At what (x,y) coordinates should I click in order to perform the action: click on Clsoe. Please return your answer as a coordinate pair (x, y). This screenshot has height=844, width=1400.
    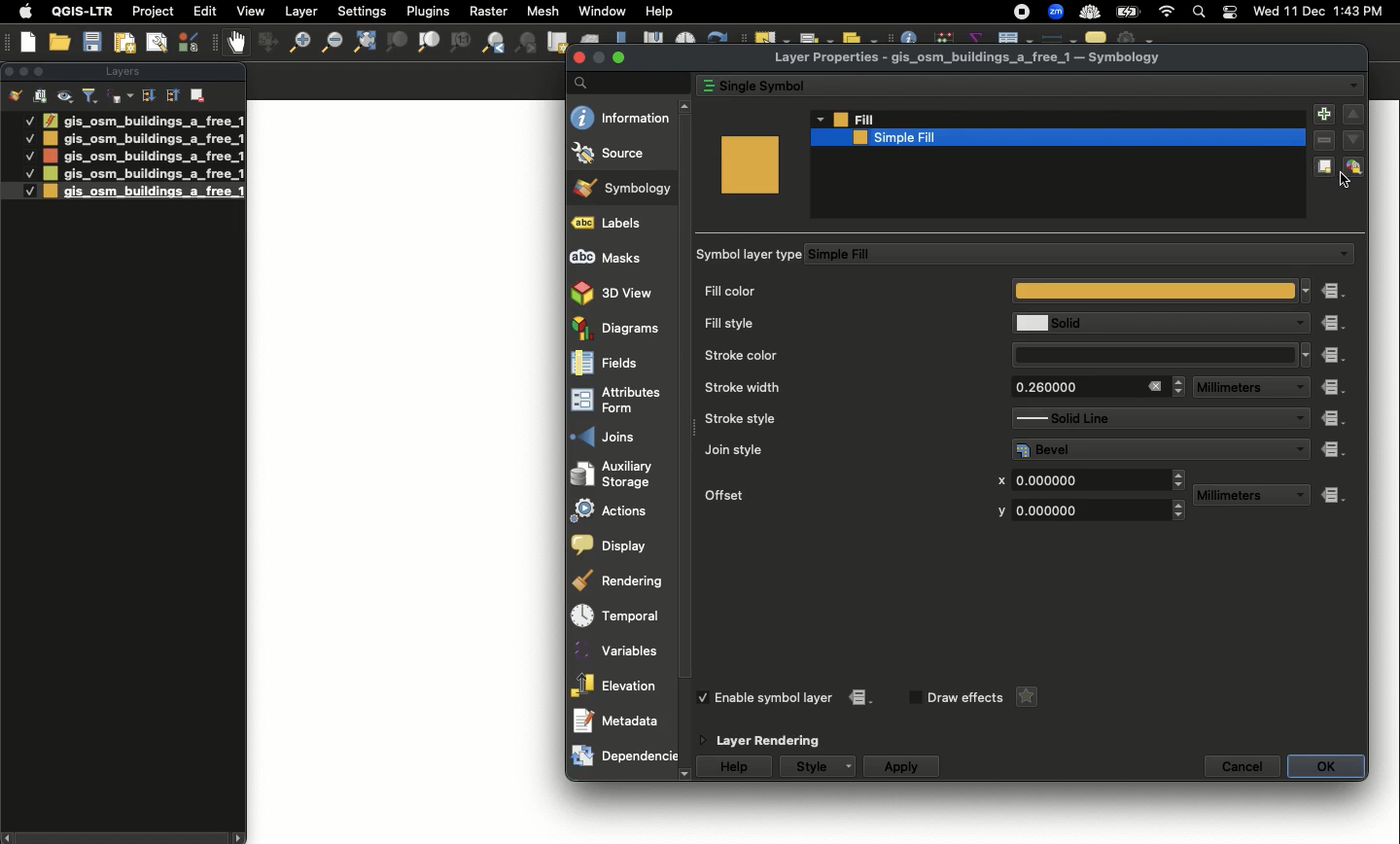
    Looking at the image, I should click on (9, 71).